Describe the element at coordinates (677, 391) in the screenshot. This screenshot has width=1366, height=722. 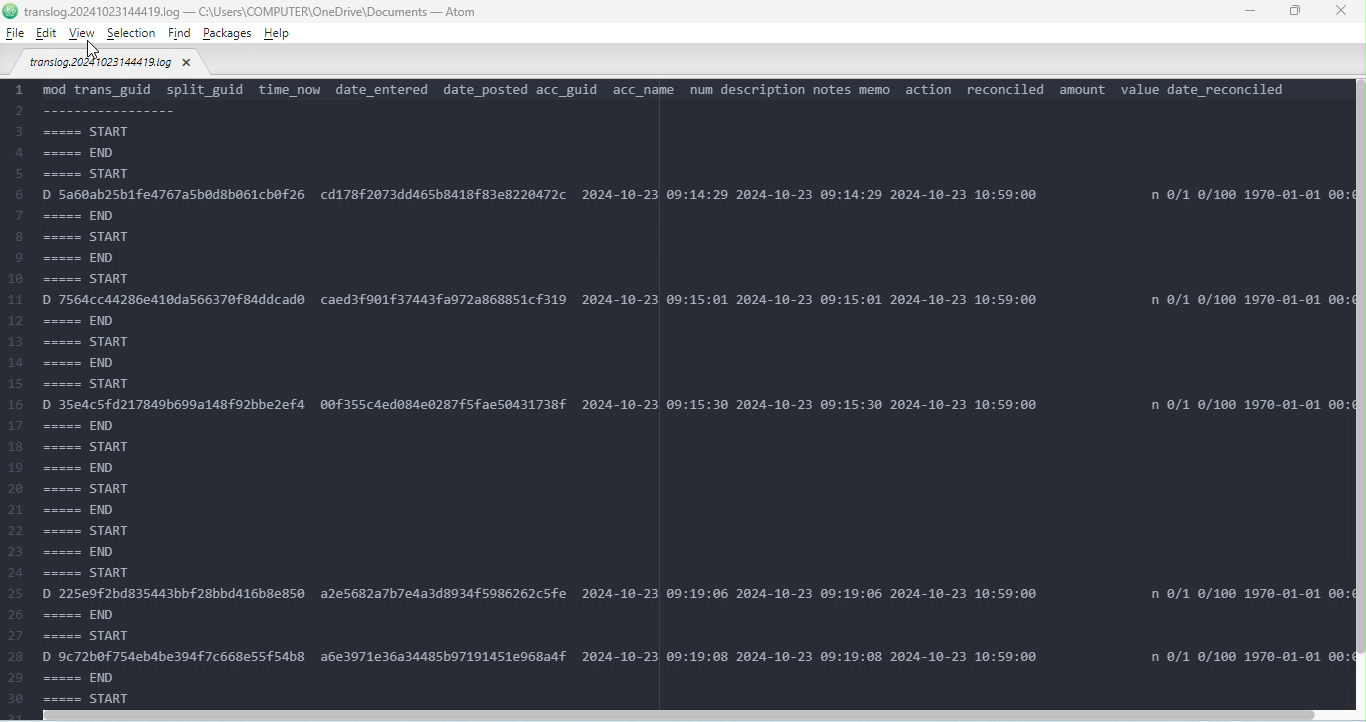
I see `File content - The code appears to be related to data entries or logs, possibly from a database or system process. It includes elements like:  START/END: Markers indicating the beginning and end of a data record. GUIDs (Globally Unique Identifiers): Long strings of characters that uniquely identify each record. Timestamps: Dates and times associated with the records, such as 2024-10-23 09:14:29. Counters/Indexes: Values like "n 0/1 100" or "0/1 100", which might indicate record numbers or positions. Date Codes: Such as 1970-01-01 00, which might represent default or initial dates. ` at that location.